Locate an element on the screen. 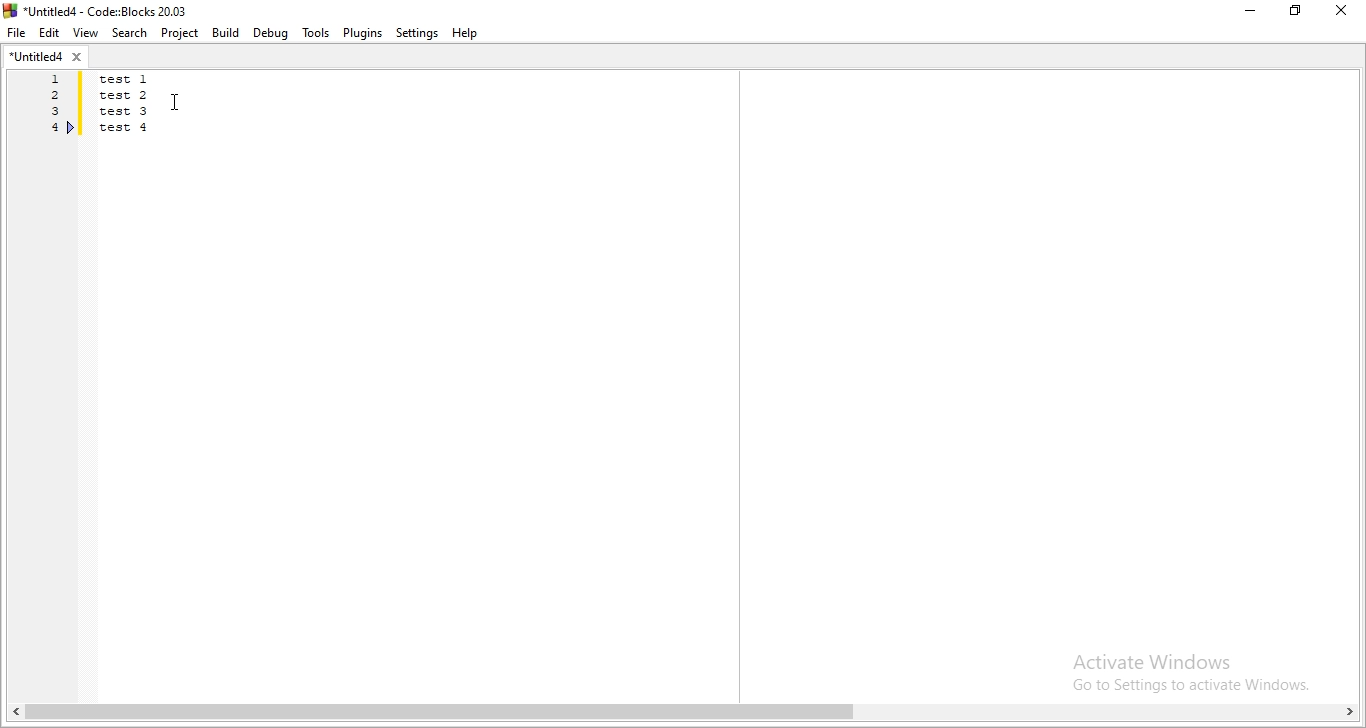 The image size is (1366, 728). test 1 is located at coordinates (137, 79).